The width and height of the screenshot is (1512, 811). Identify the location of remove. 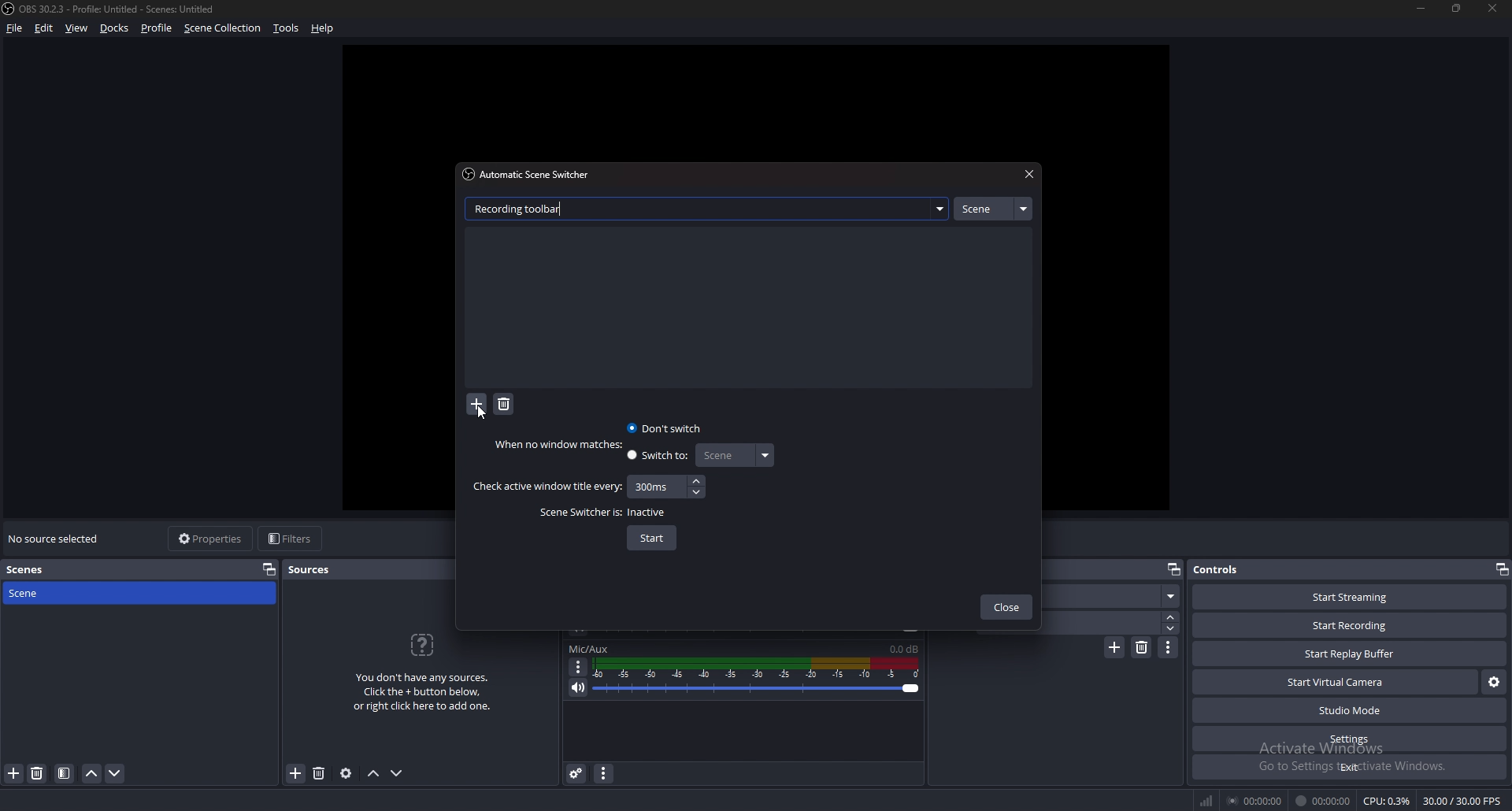
(504, 405).